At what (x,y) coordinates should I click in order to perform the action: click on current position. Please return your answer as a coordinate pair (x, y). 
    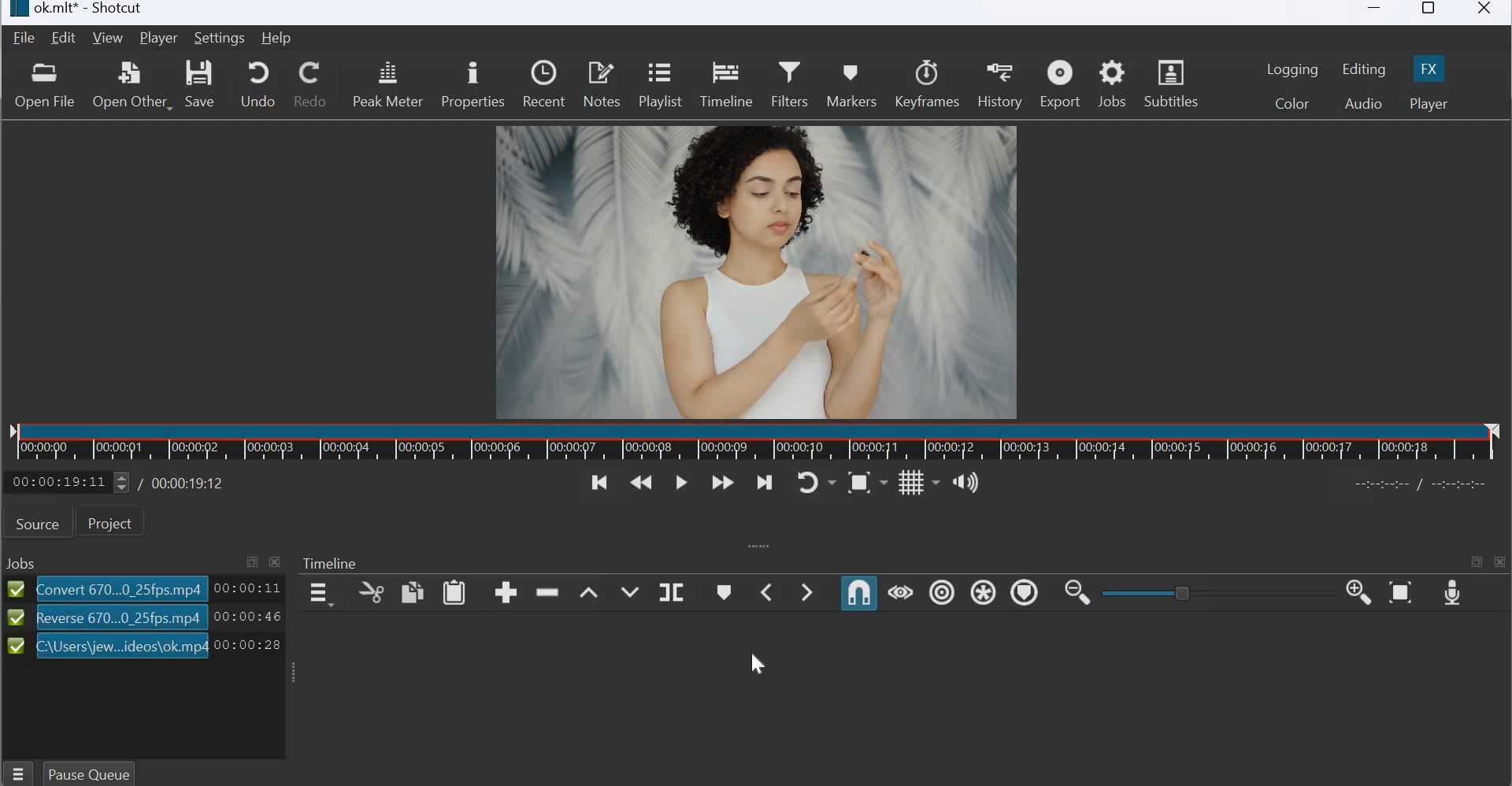
    Looking at the image, I should click on (69, 480).